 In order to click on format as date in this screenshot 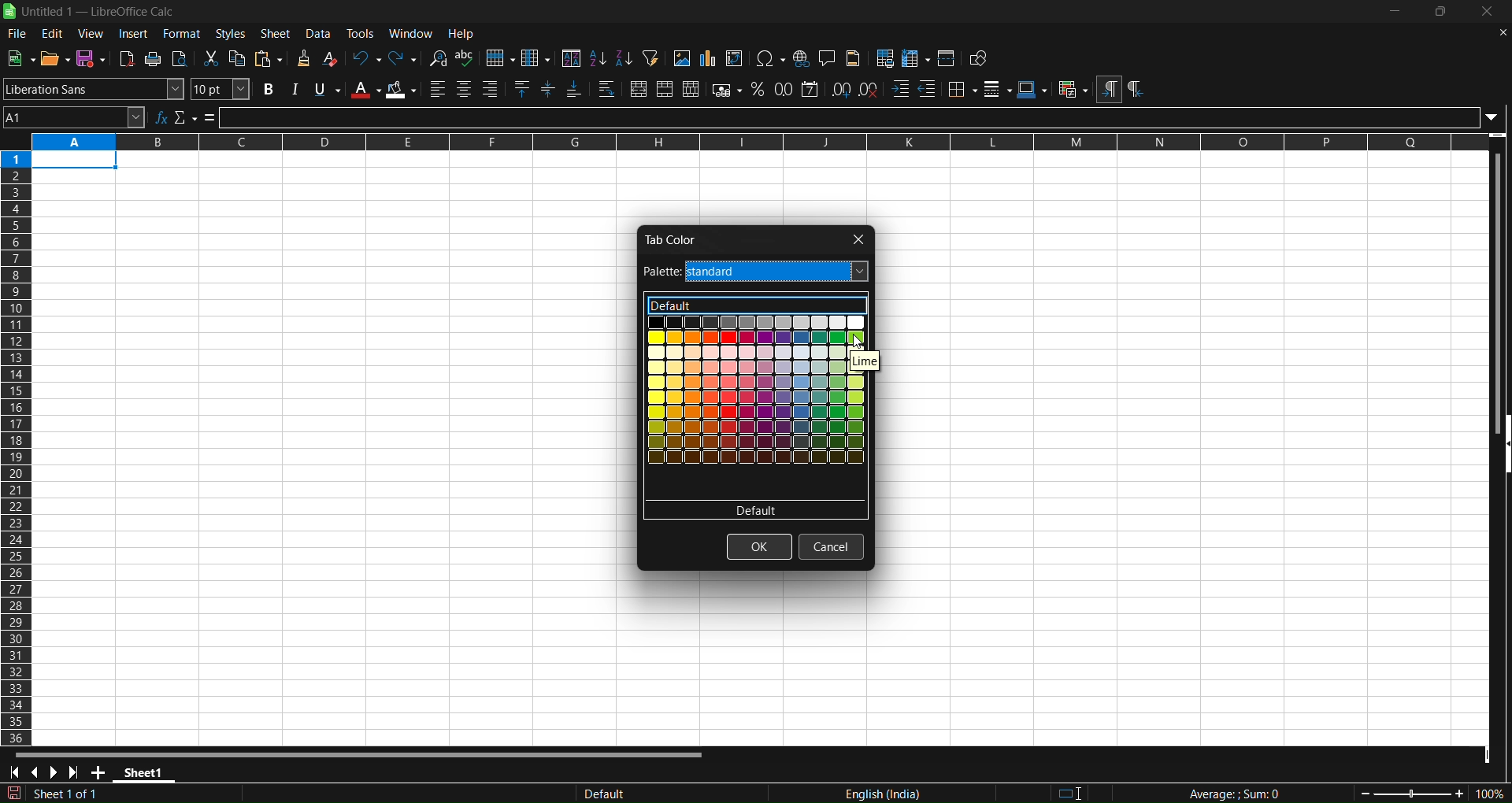, I will do `click(811, 89)`.